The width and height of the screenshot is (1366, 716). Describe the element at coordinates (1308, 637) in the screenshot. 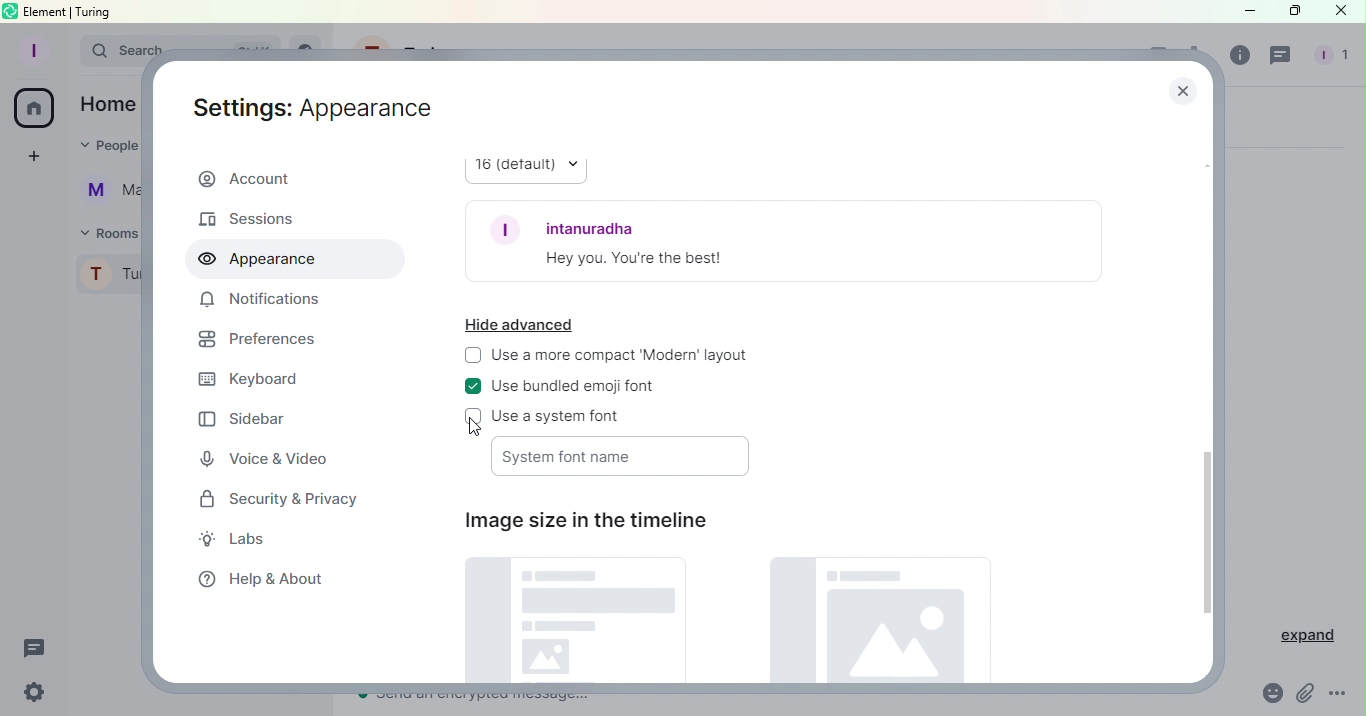

I see `Expand` at that location.